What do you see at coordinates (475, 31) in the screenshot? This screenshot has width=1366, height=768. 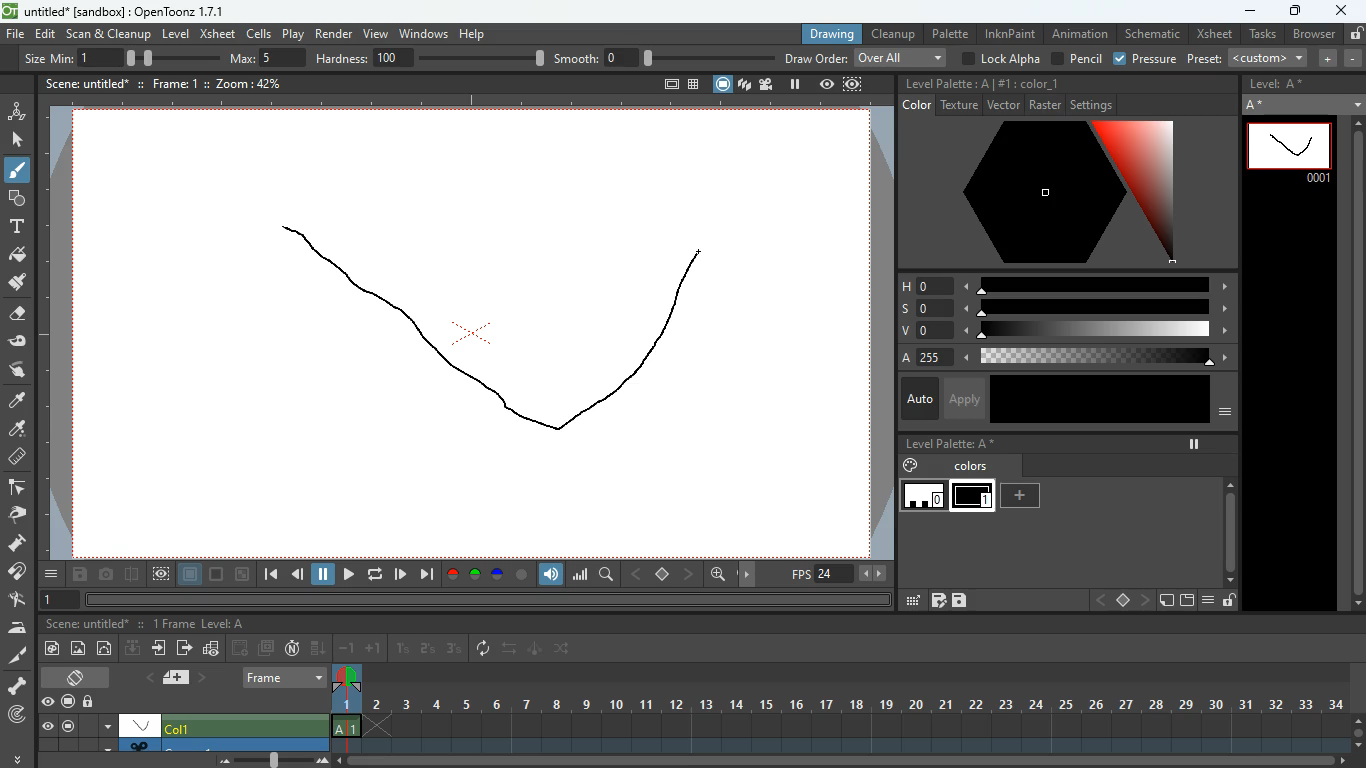 I see `help` at bounding box center [475, 31].